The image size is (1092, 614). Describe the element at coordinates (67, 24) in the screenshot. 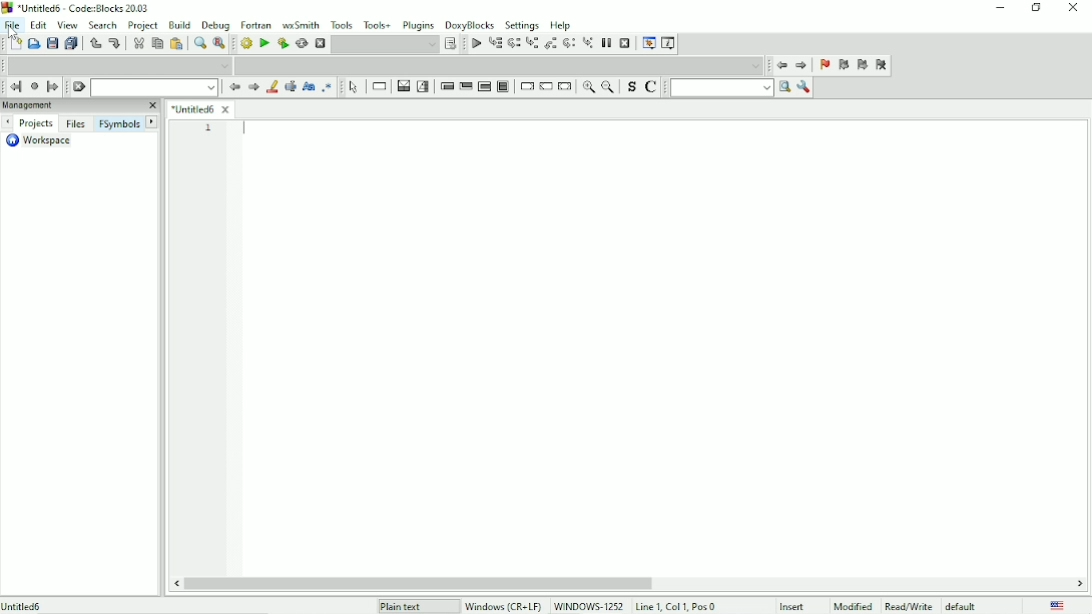

I see `View` at that location.